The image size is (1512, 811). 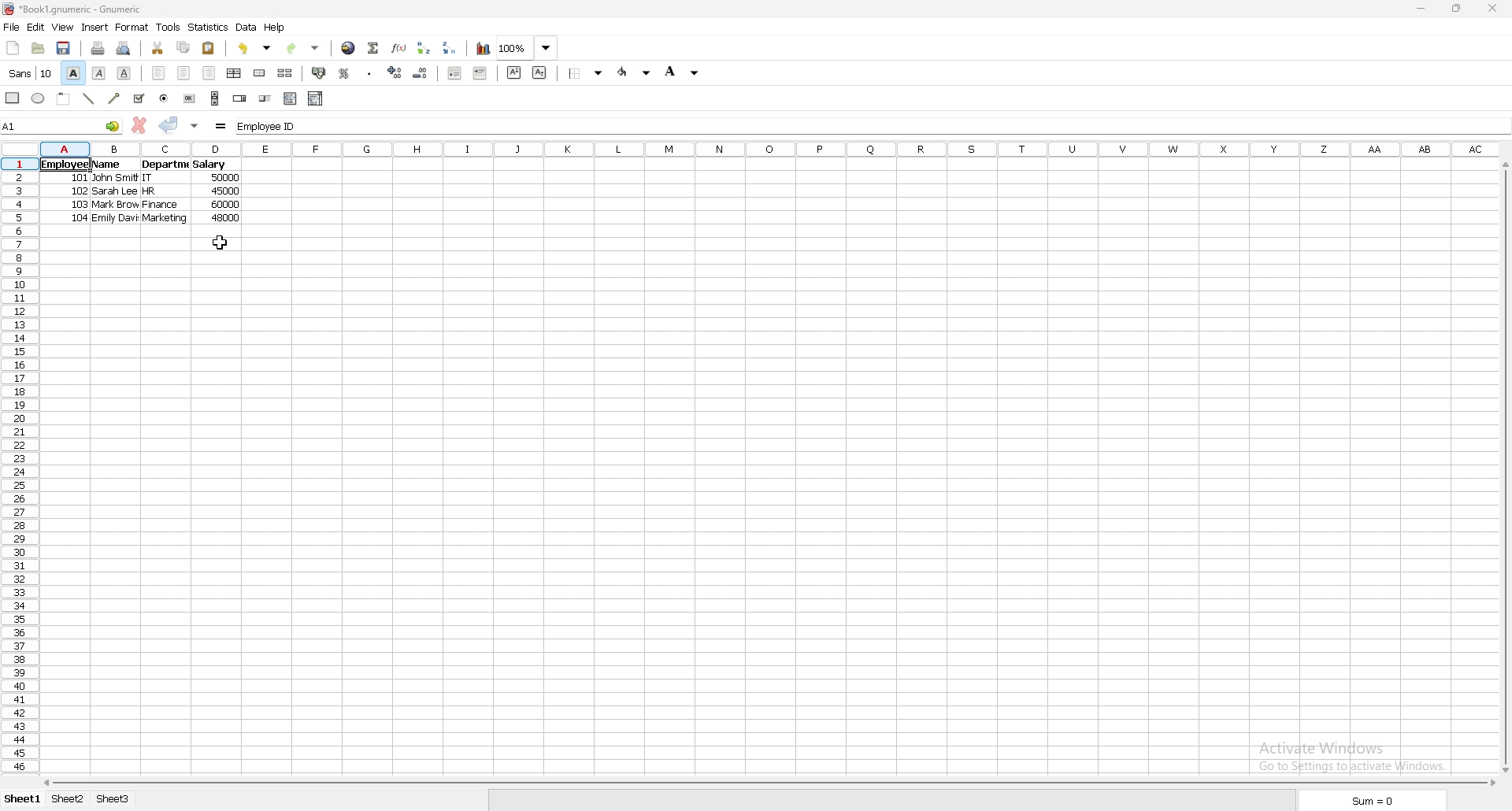 What do you see at coordinates (13, 48) in the screenshot?
I see `new` at bounding box center [13, 48].